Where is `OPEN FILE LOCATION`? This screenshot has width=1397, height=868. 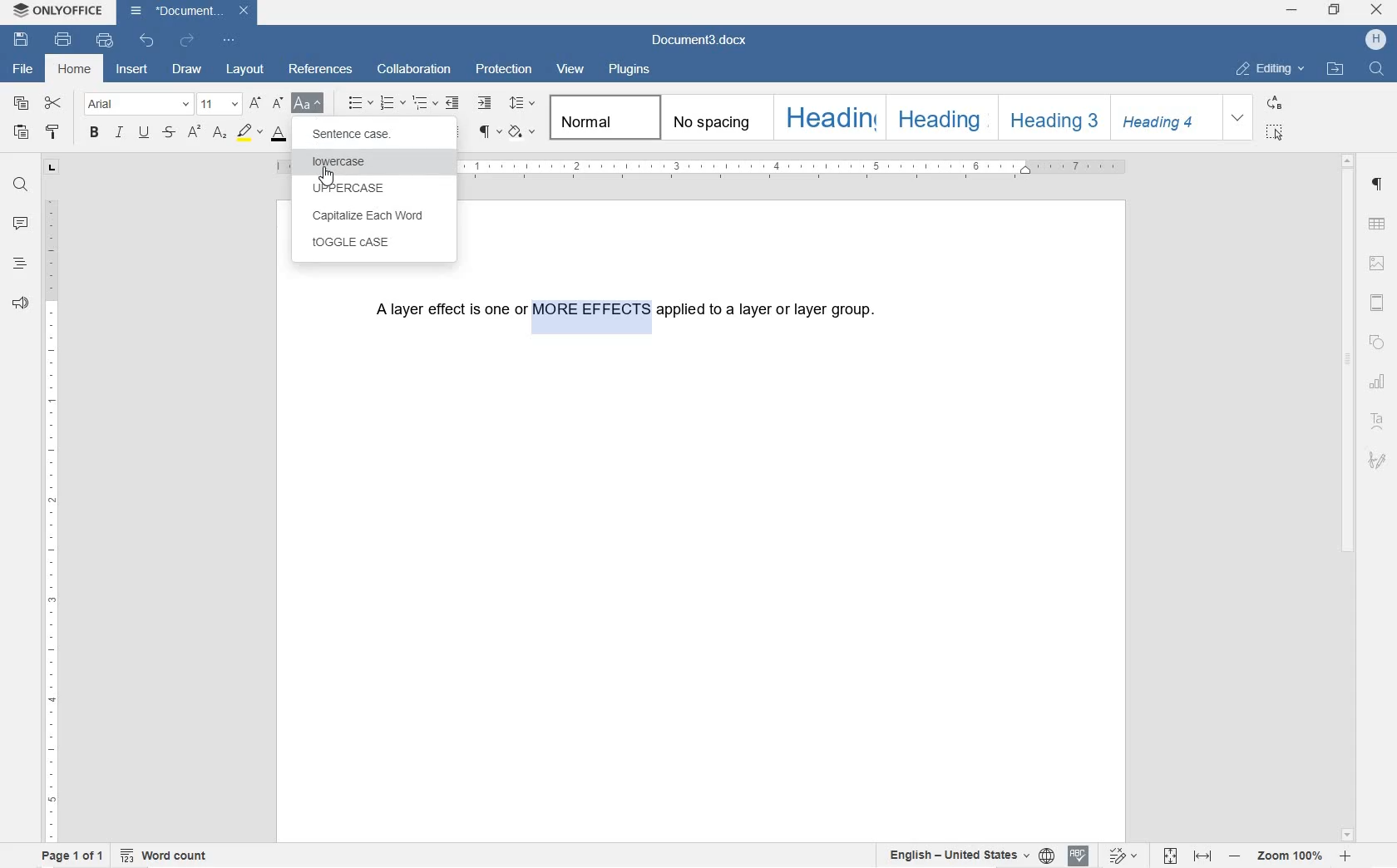 OPEN FILE LOCATION is located at coordinates (1337, 70).